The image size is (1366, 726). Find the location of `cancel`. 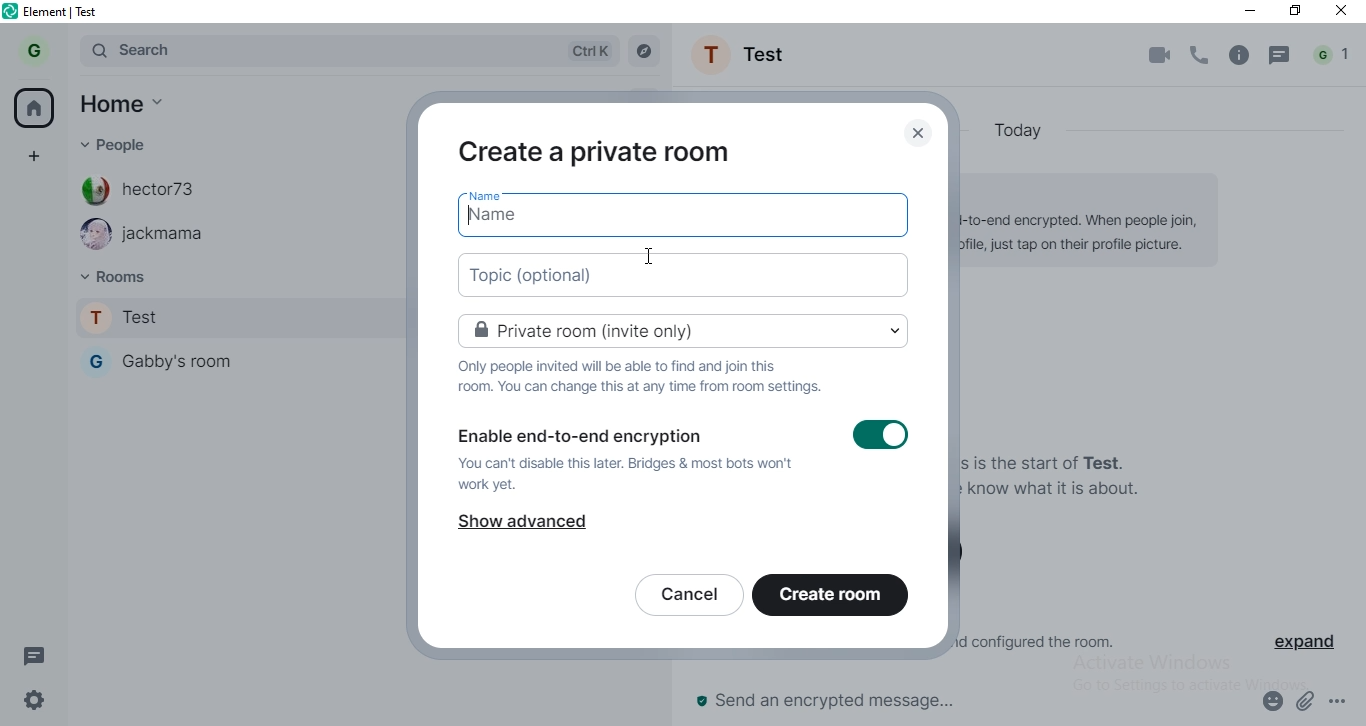

cancel is located at coordinates (686, 595).